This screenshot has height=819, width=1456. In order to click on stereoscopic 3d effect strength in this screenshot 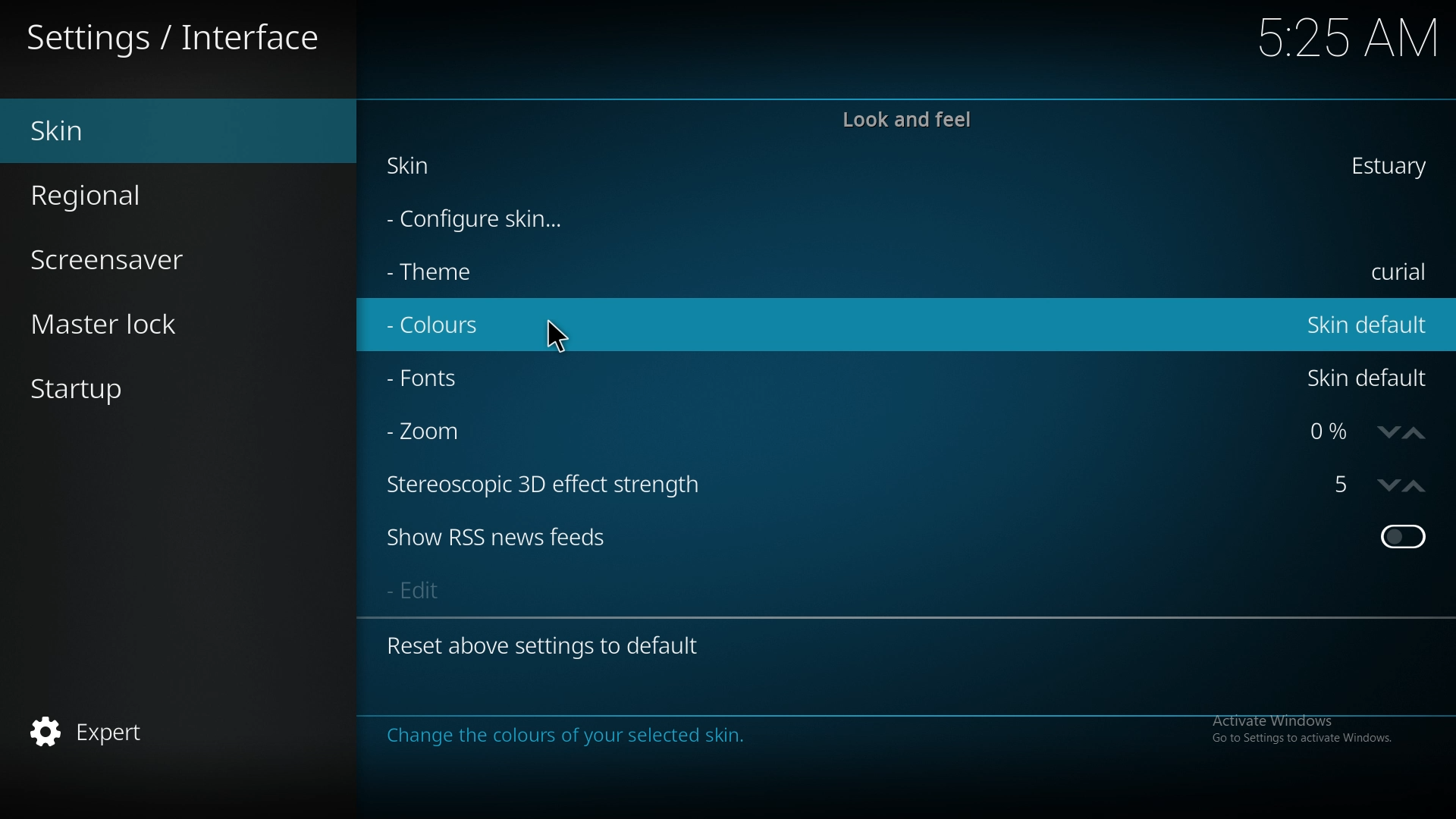, I will do `click(560, 482)`.